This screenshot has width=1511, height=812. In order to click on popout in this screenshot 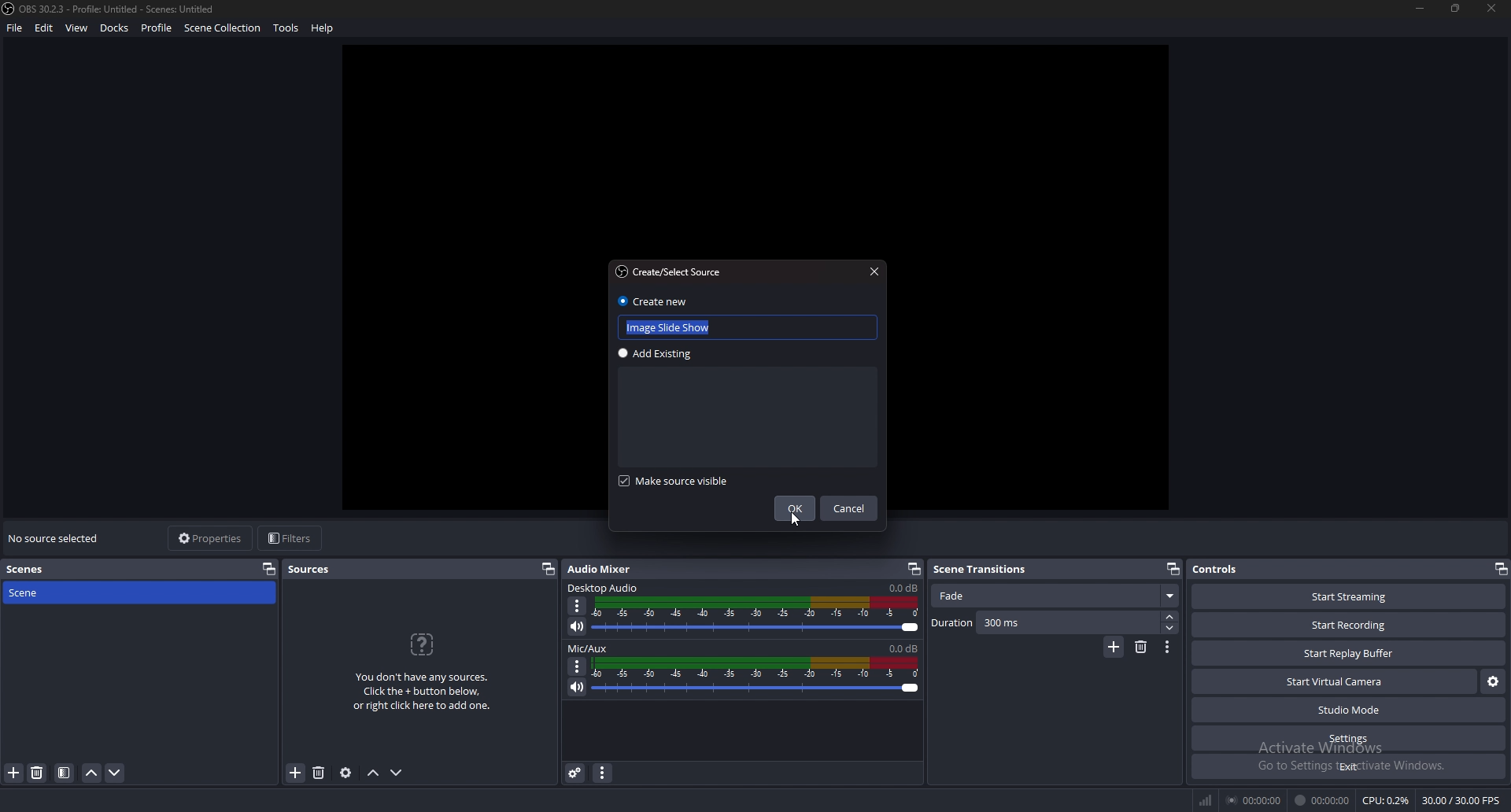, I will do `click(548, 569)`.